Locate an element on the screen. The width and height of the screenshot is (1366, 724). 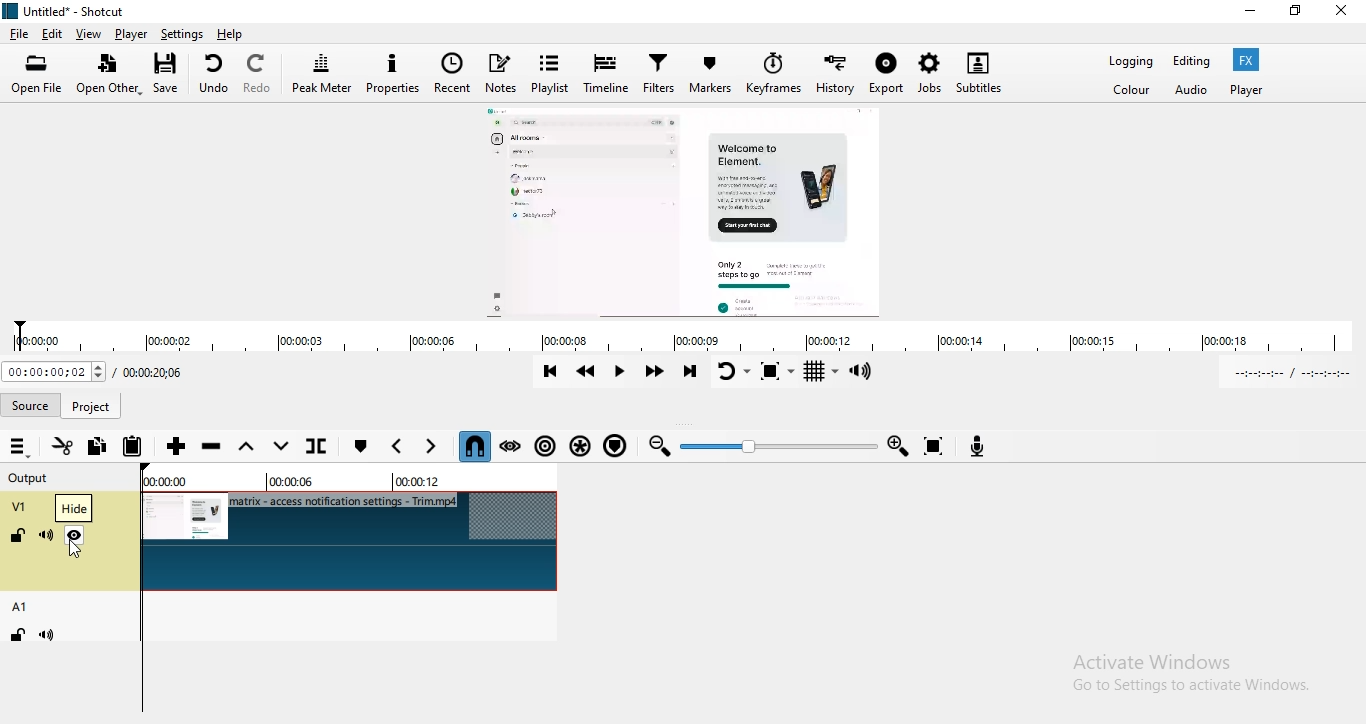
Undo is located at coordinates (213, 73).